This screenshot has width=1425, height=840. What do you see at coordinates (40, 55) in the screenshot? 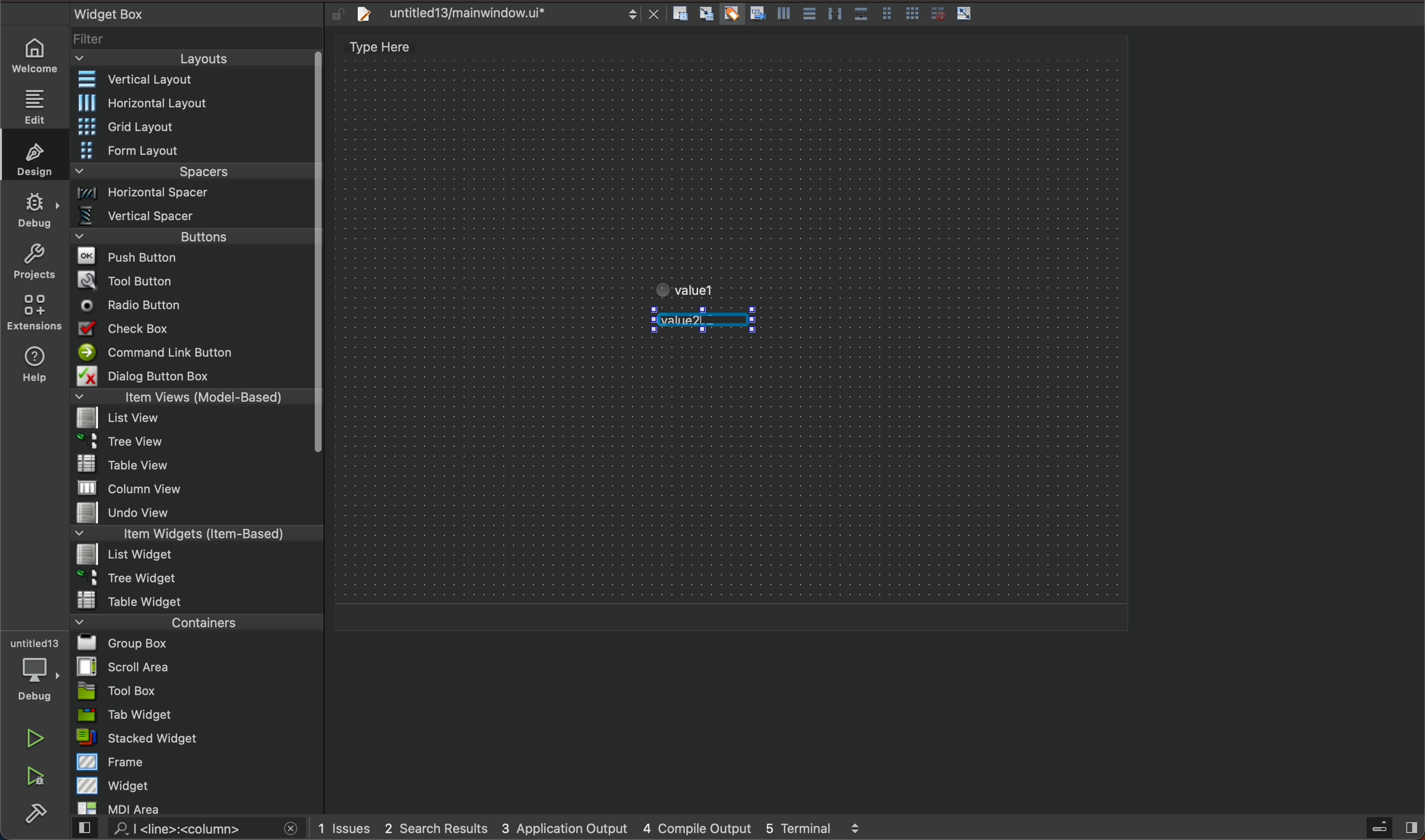
I see `home` at bounding box center [40, 55].